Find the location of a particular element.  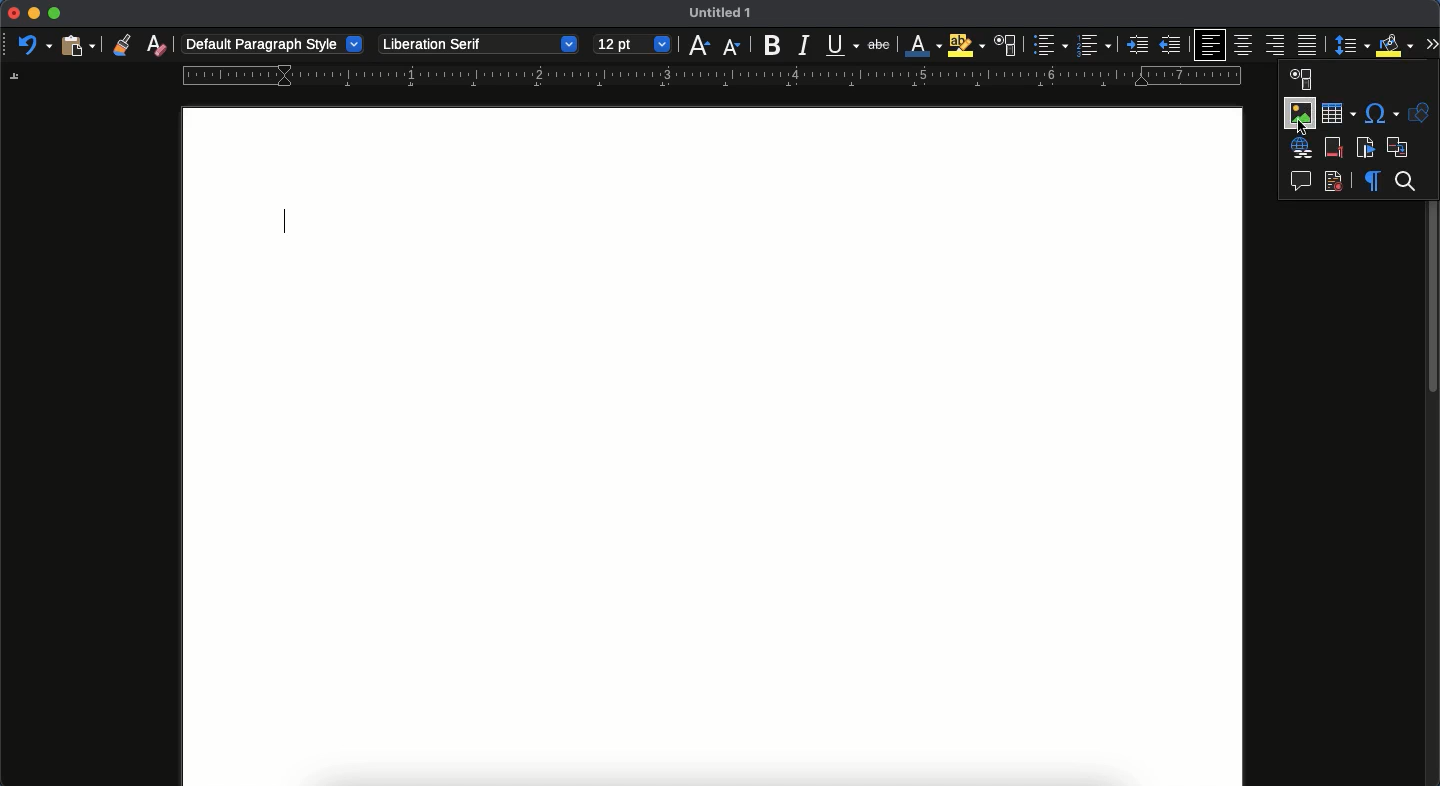

clear formatting  is located at coordinates (156, 44).